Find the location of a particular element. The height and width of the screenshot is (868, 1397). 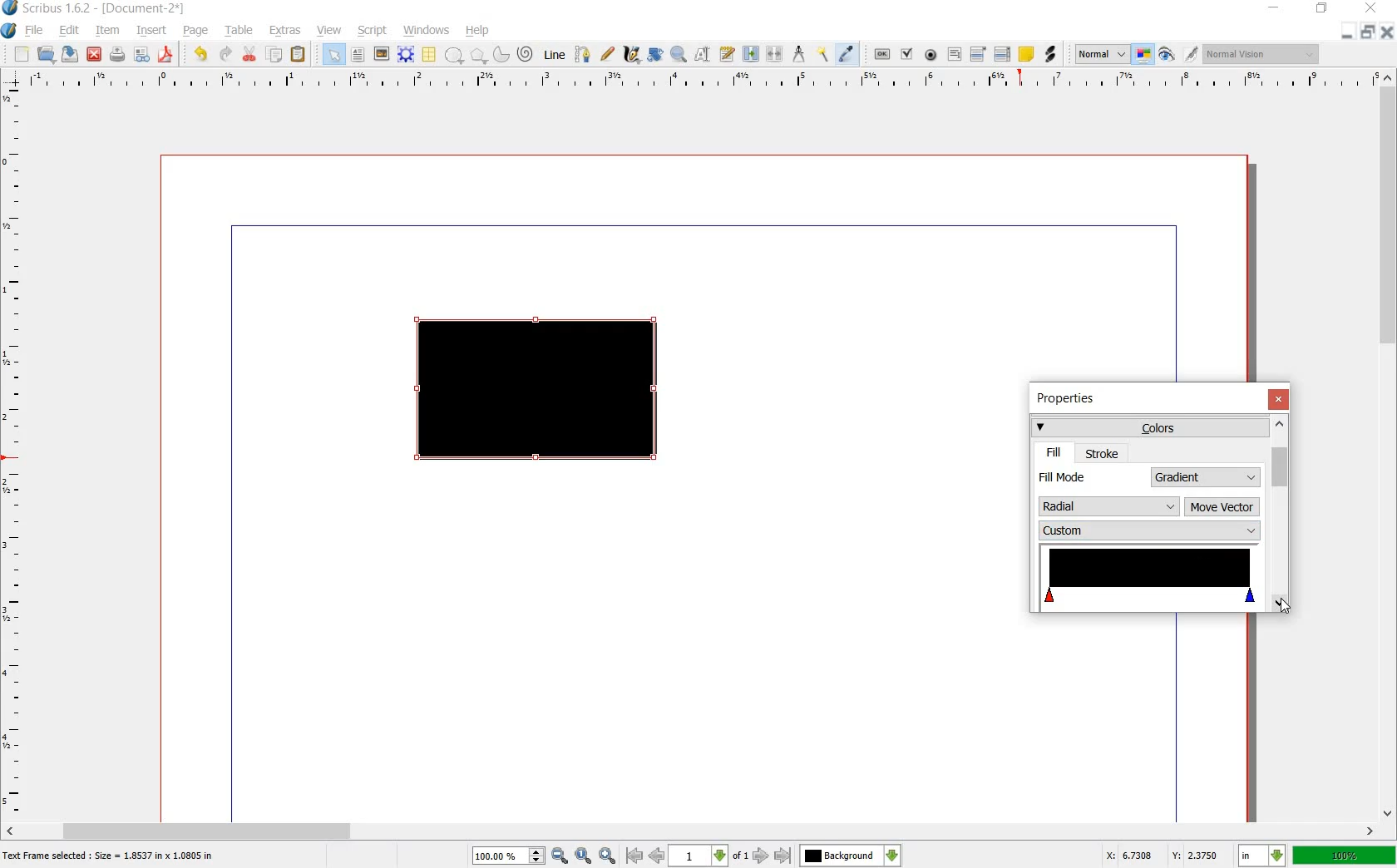

undo is located at coordinates (203, 55).